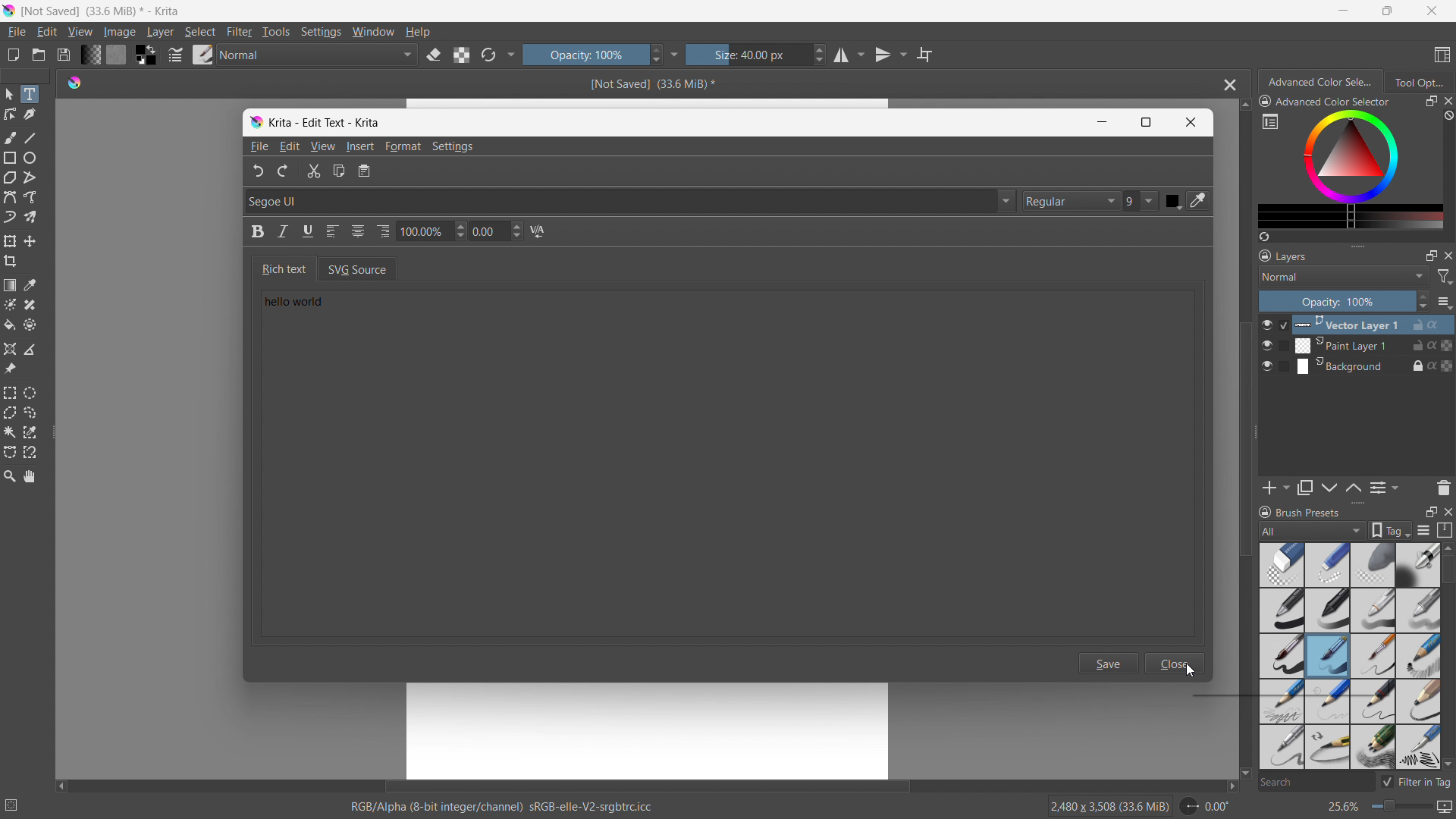 This screenshot has width=1456, height=819. I want to click on filter in tag, so click(1416, 780).